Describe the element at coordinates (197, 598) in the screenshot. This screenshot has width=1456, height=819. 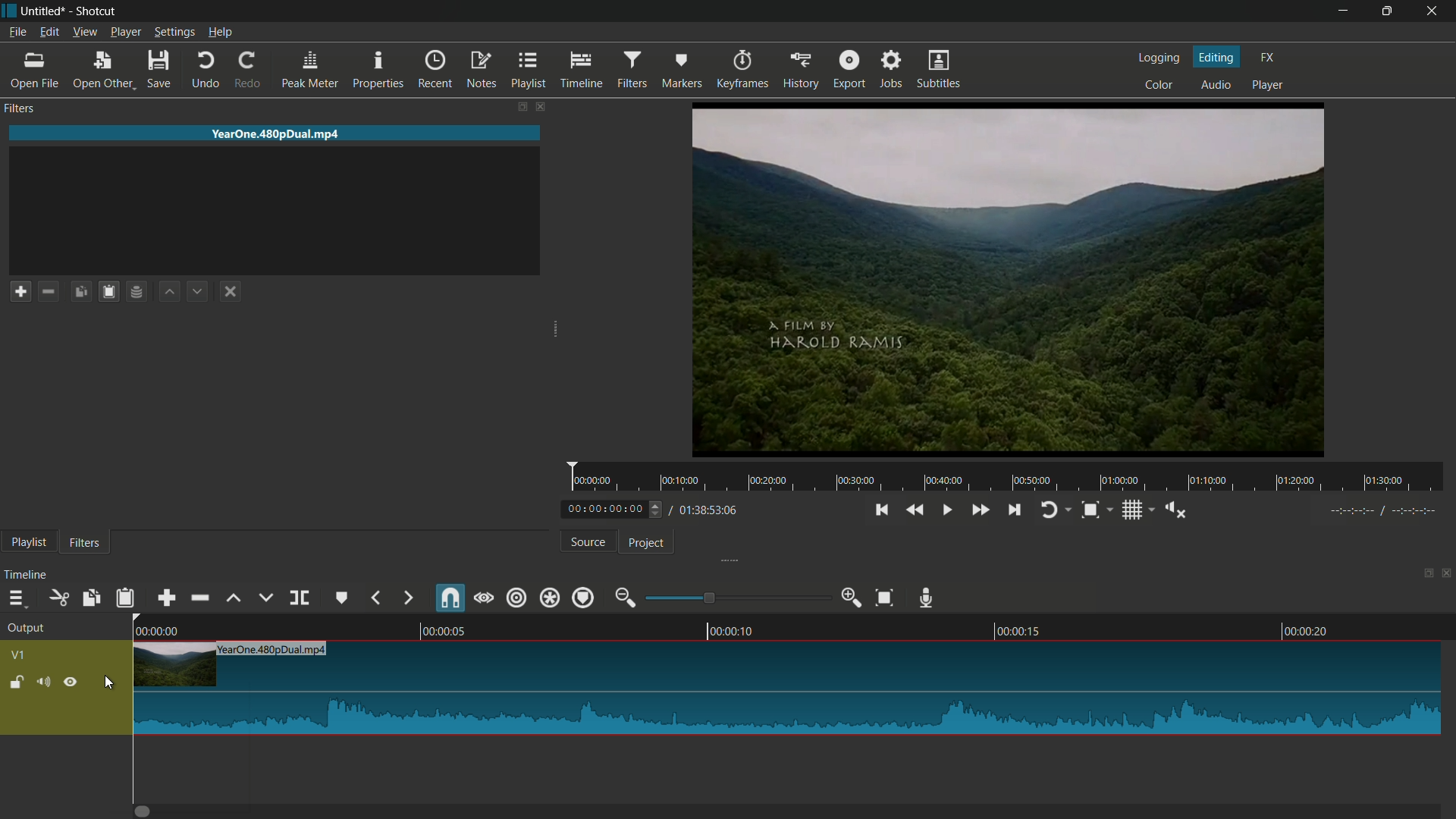
I see `ripple delete` at that location.